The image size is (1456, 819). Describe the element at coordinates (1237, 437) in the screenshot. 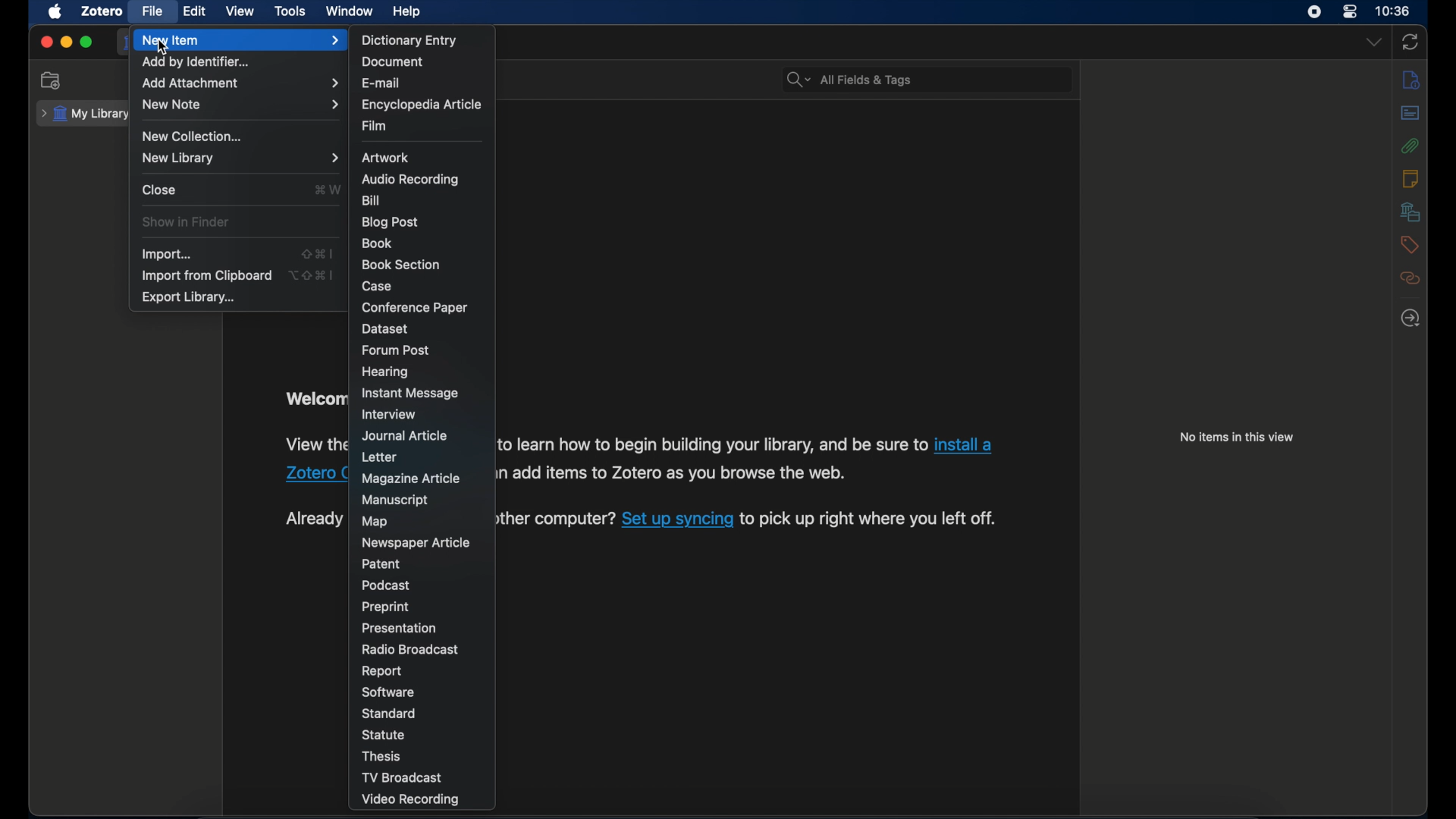

I see `no items in this view` at that location.